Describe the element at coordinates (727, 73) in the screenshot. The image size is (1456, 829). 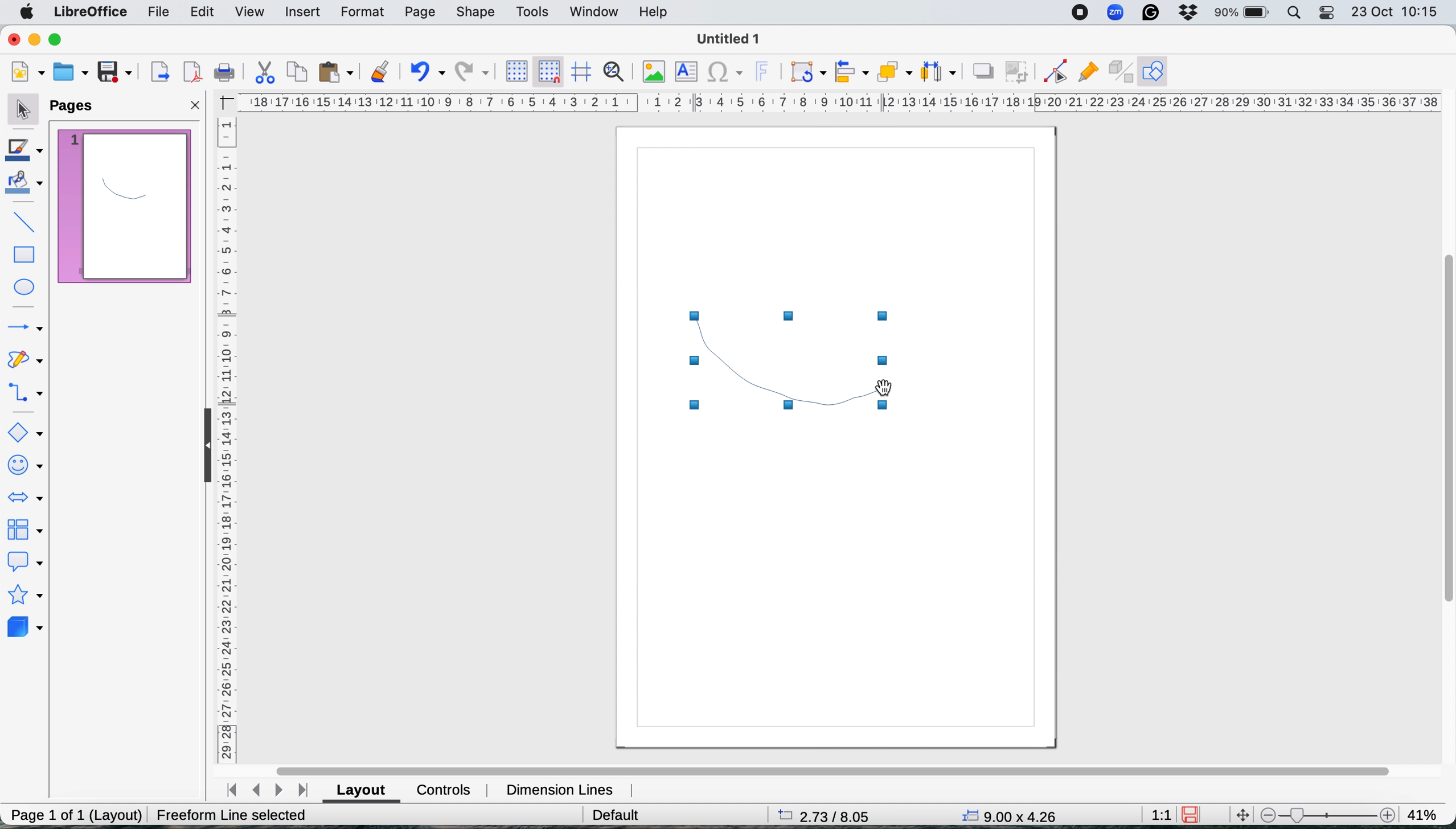
I see `insert special characters` at that location.